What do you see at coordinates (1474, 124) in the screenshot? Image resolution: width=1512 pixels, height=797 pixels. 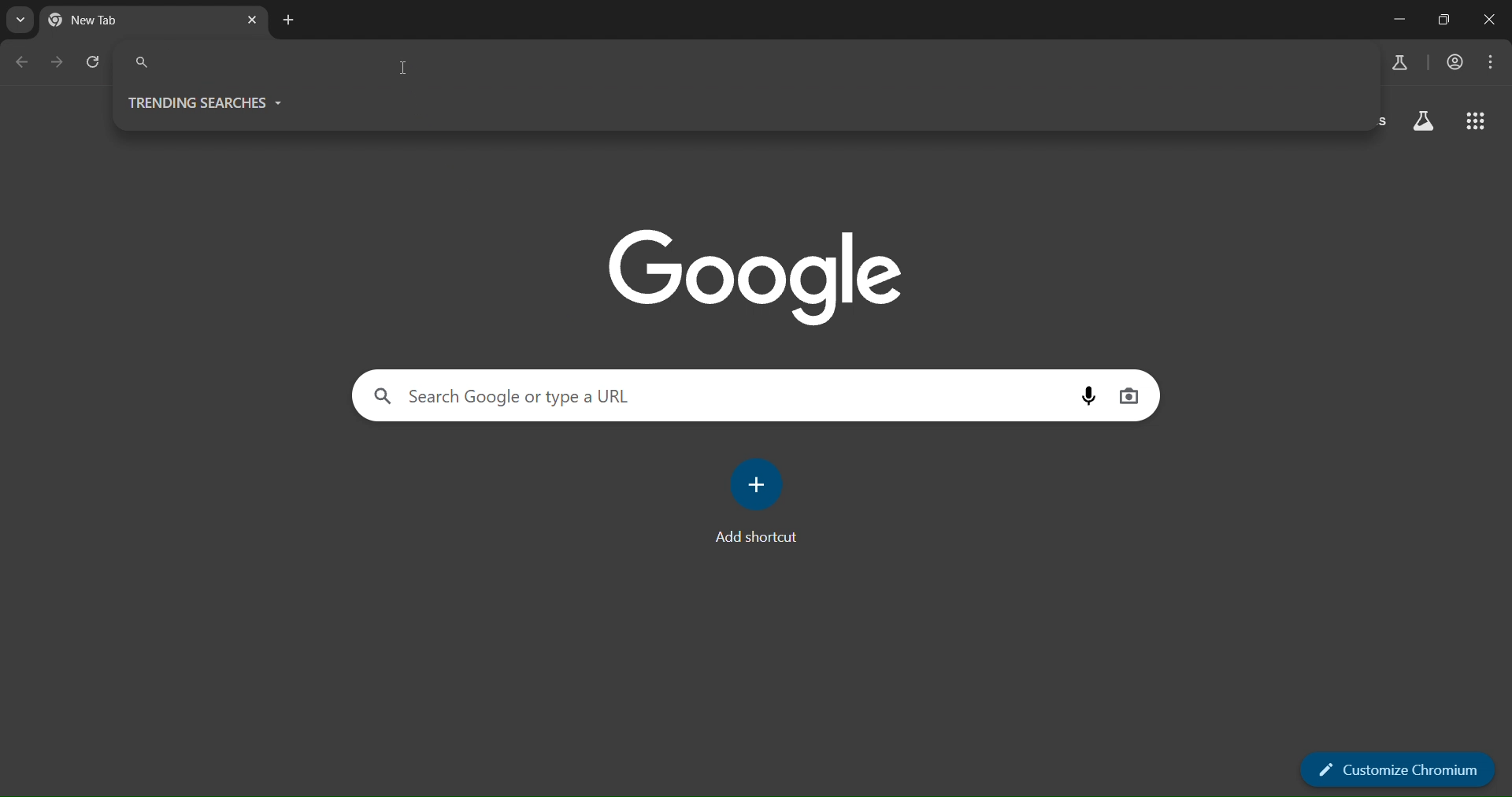 I see `google apps` at bounding box center [1474, 124].